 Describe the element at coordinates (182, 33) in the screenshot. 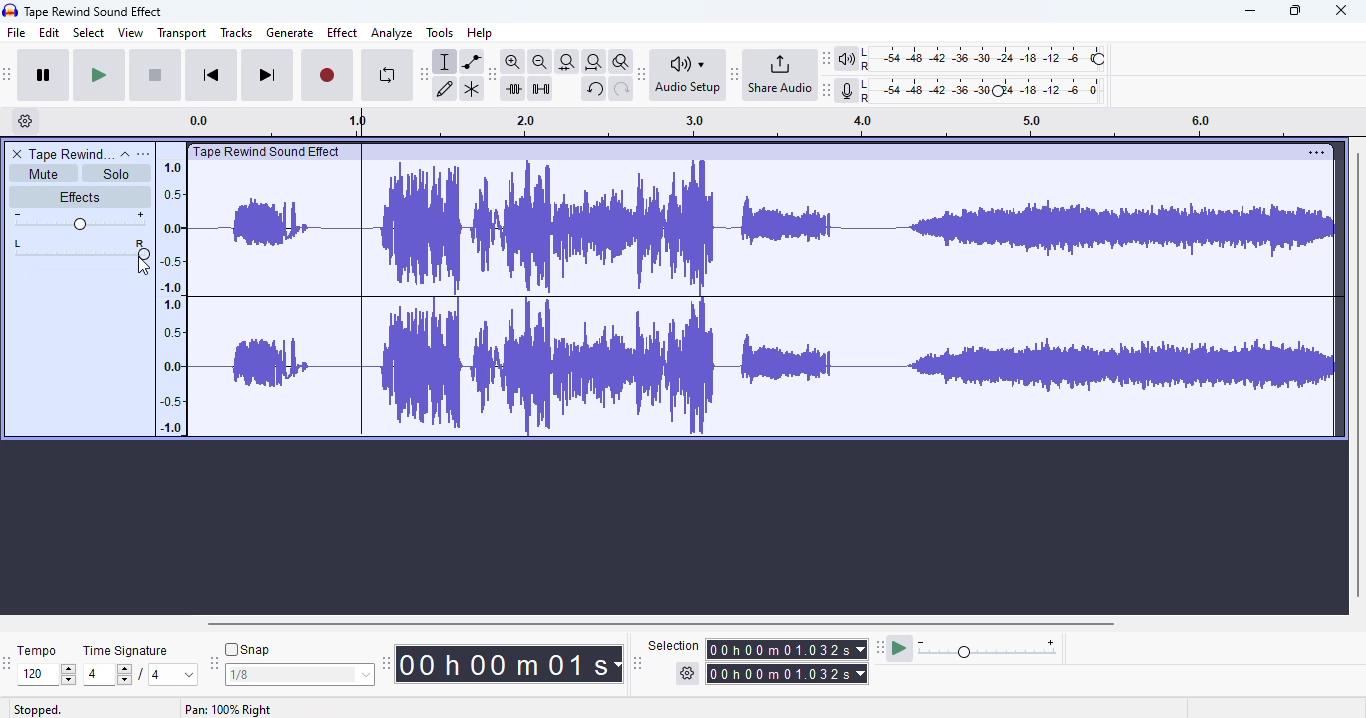

I see `transport` at that location.